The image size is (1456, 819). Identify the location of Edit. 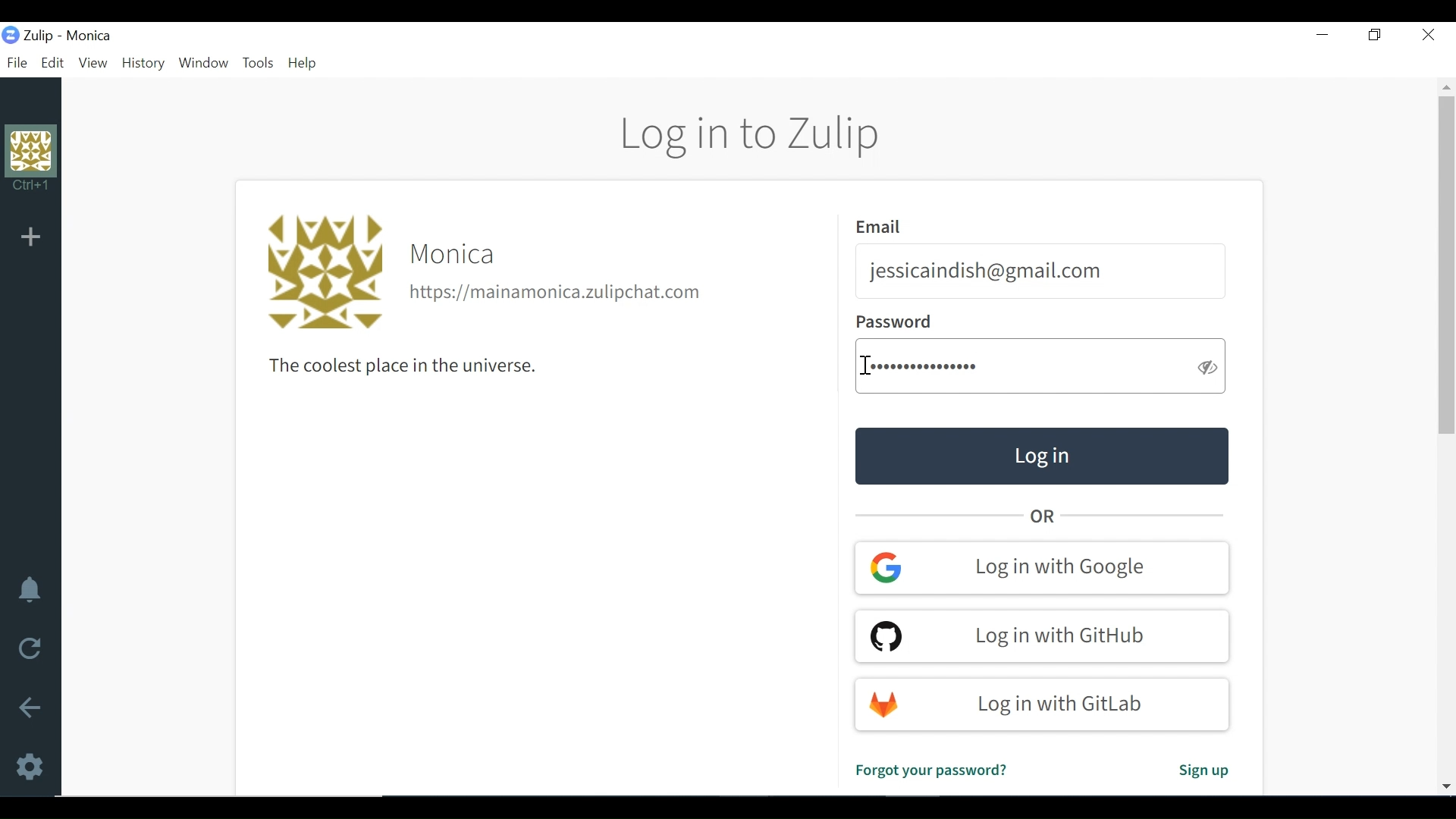
(54, 63).